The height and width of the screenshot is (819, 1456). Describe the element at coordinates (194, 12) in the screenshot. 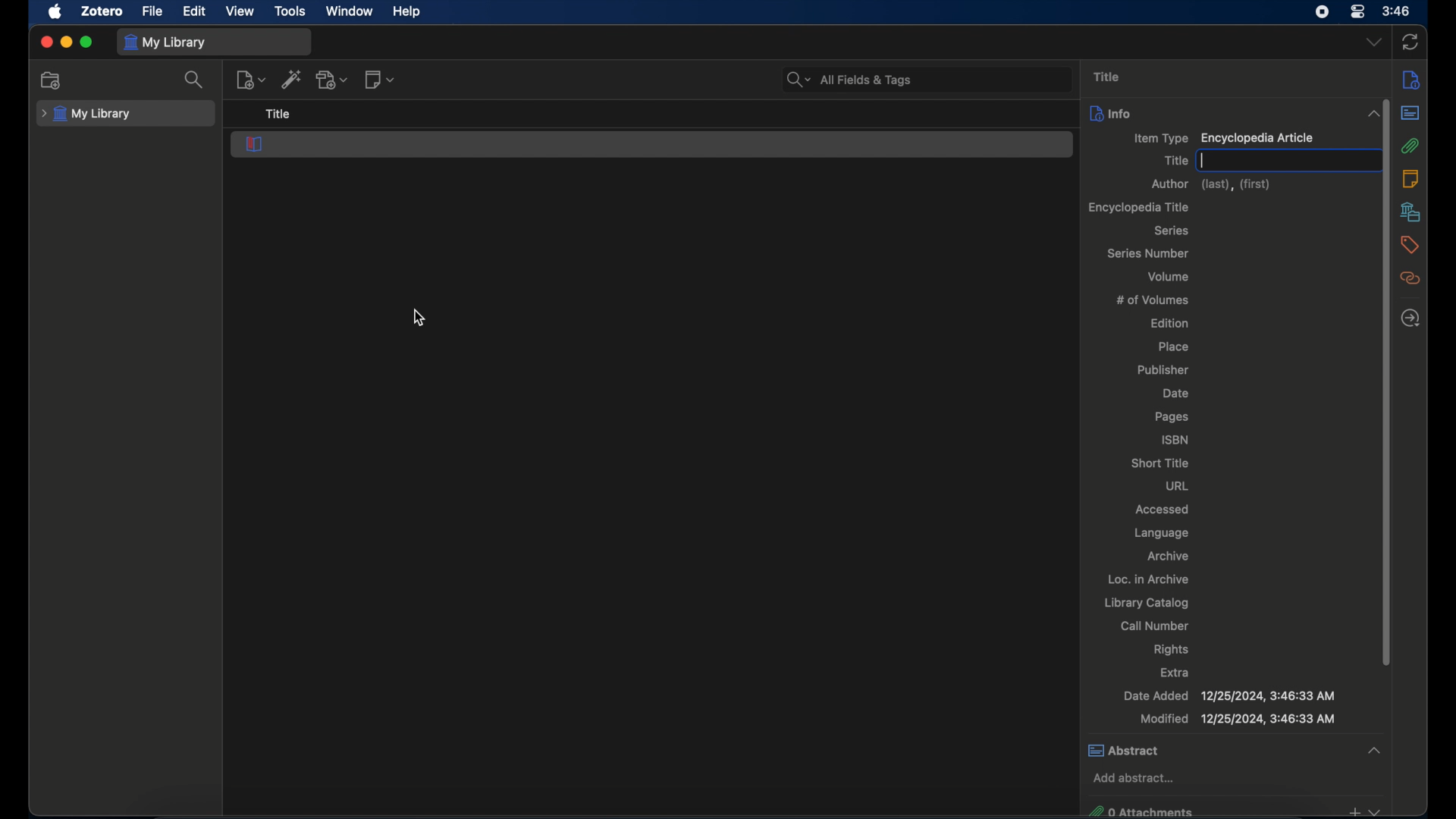

I see `edit` at that location.